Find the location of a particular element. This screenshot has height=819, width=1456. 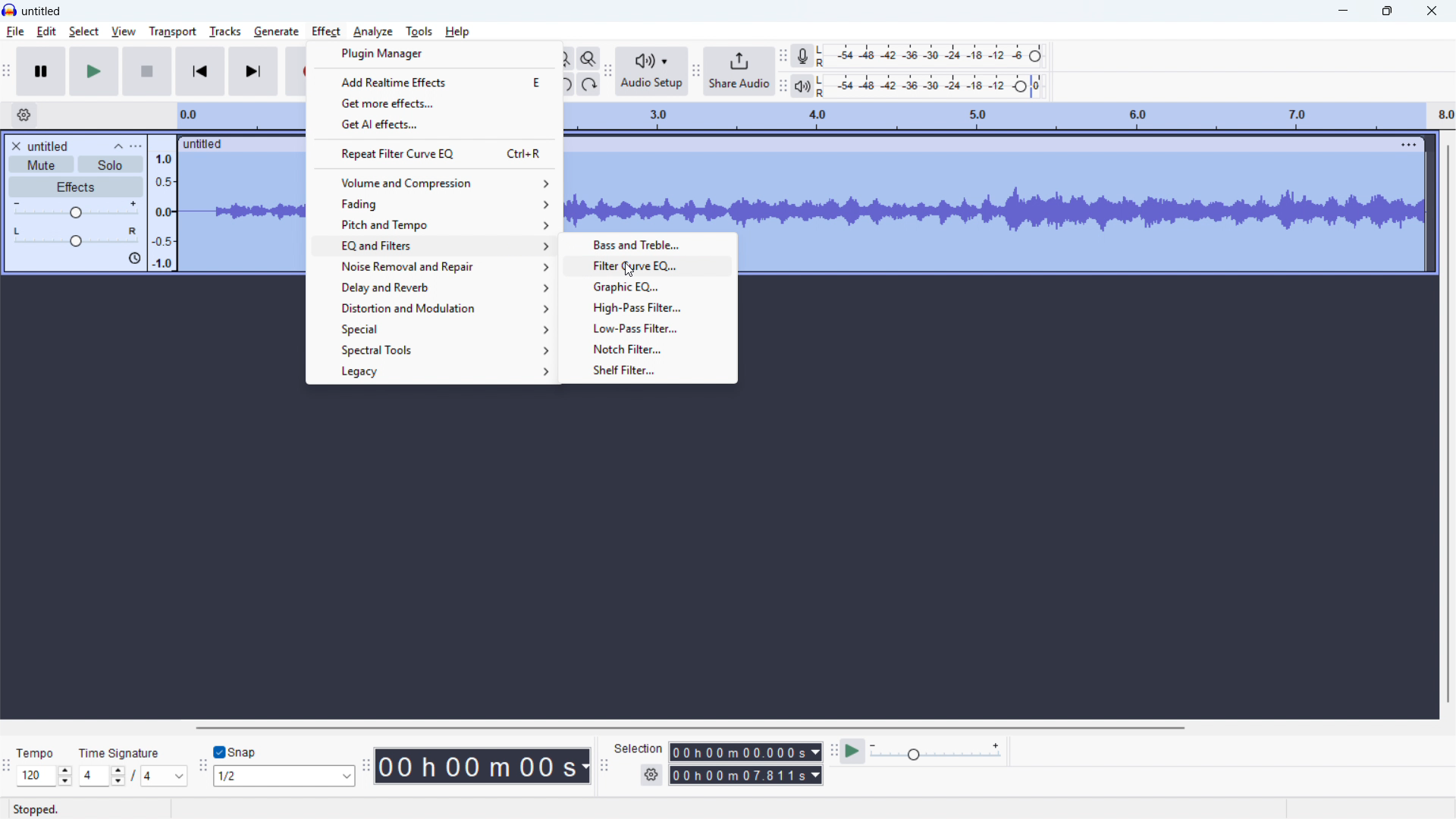

close  is located at coordinates (1430, 11).